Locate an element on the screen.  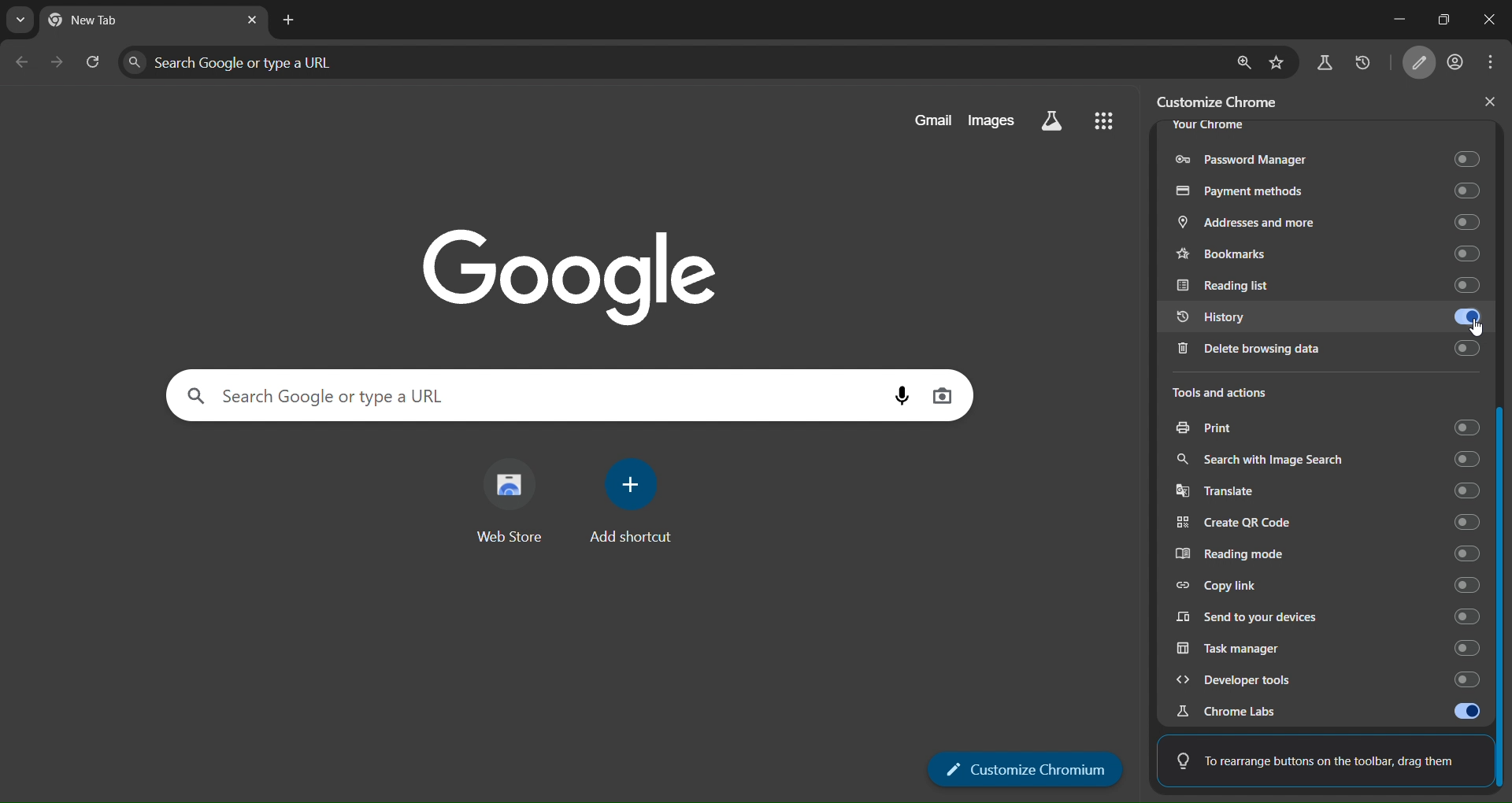
Search google or type a URL is located at coordinates (671, 62).